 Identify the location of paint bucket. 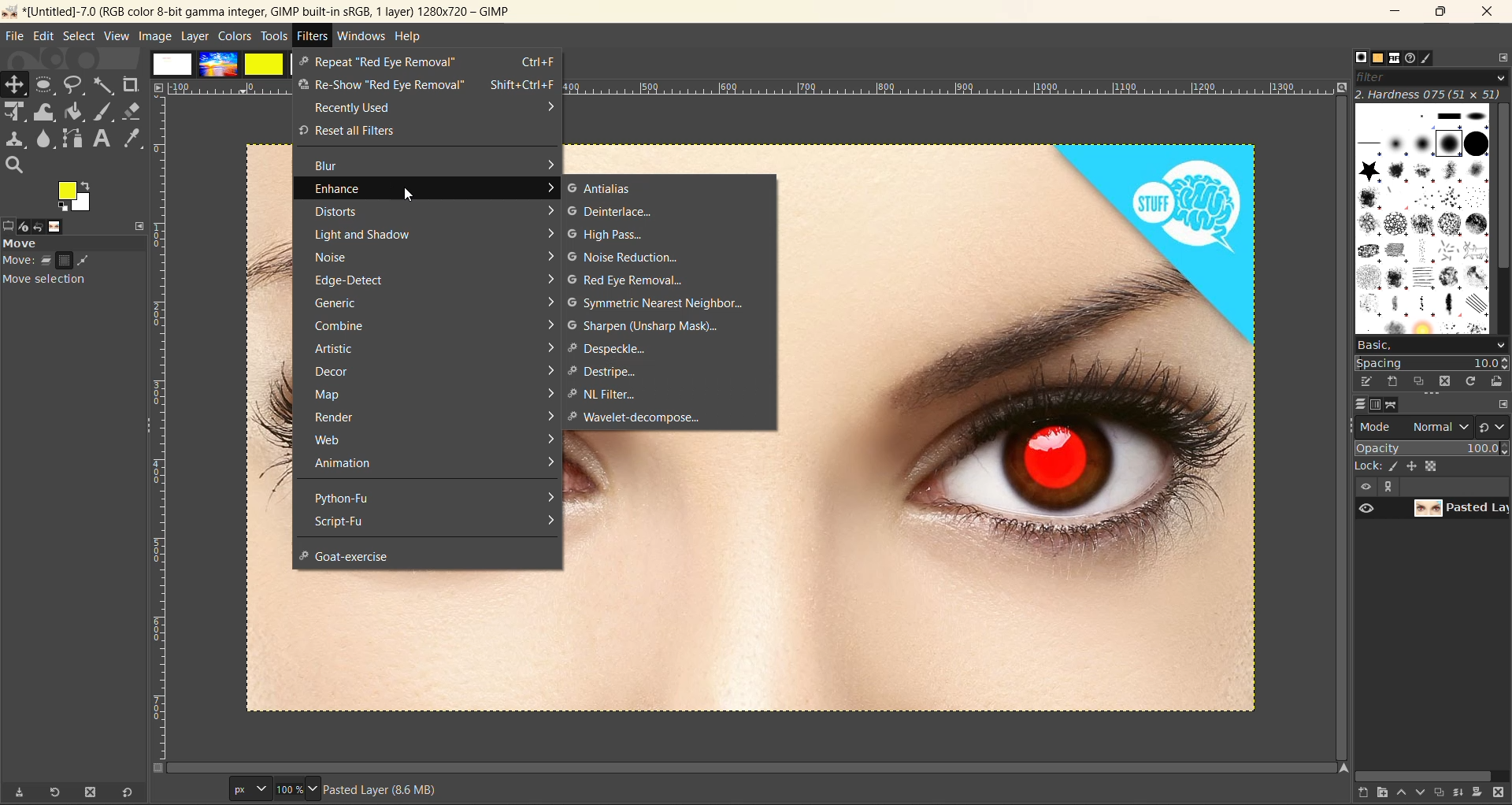
(75, 112).